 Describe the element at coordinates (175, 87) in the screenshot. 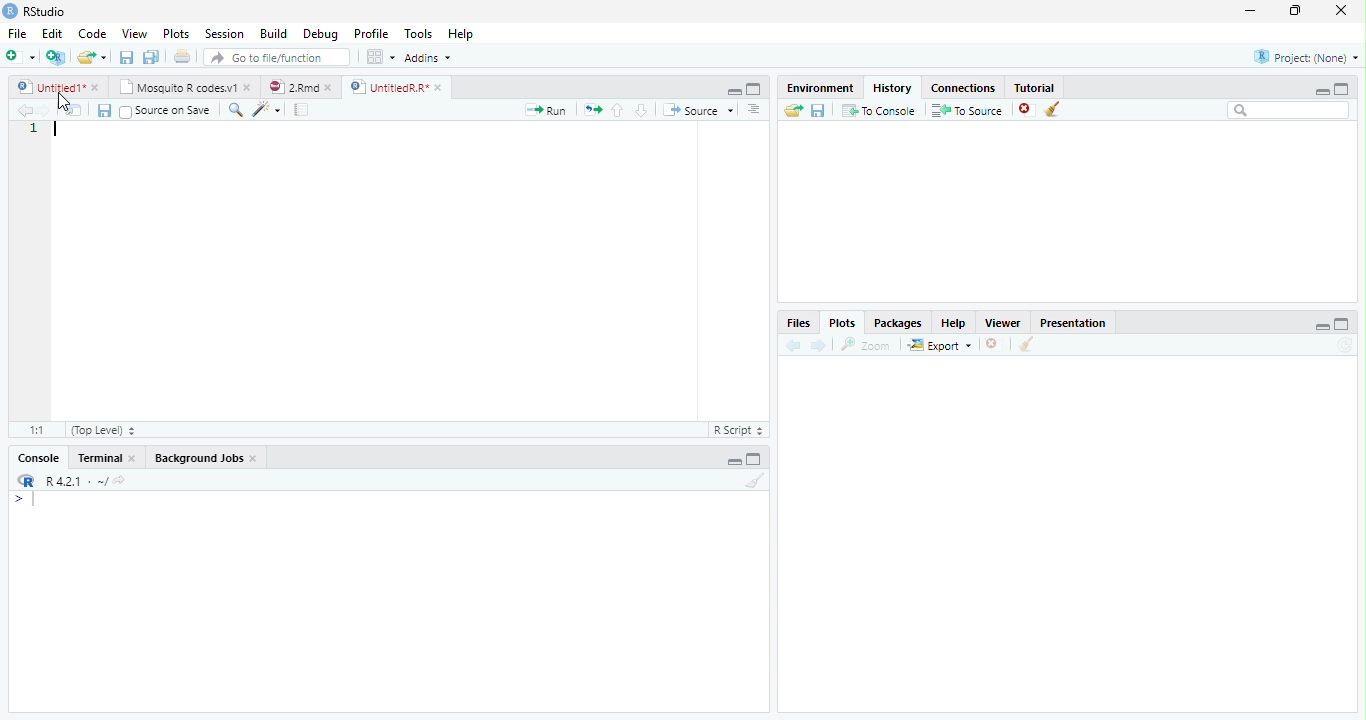

I see `Mosquito R codes.v1` at that location.